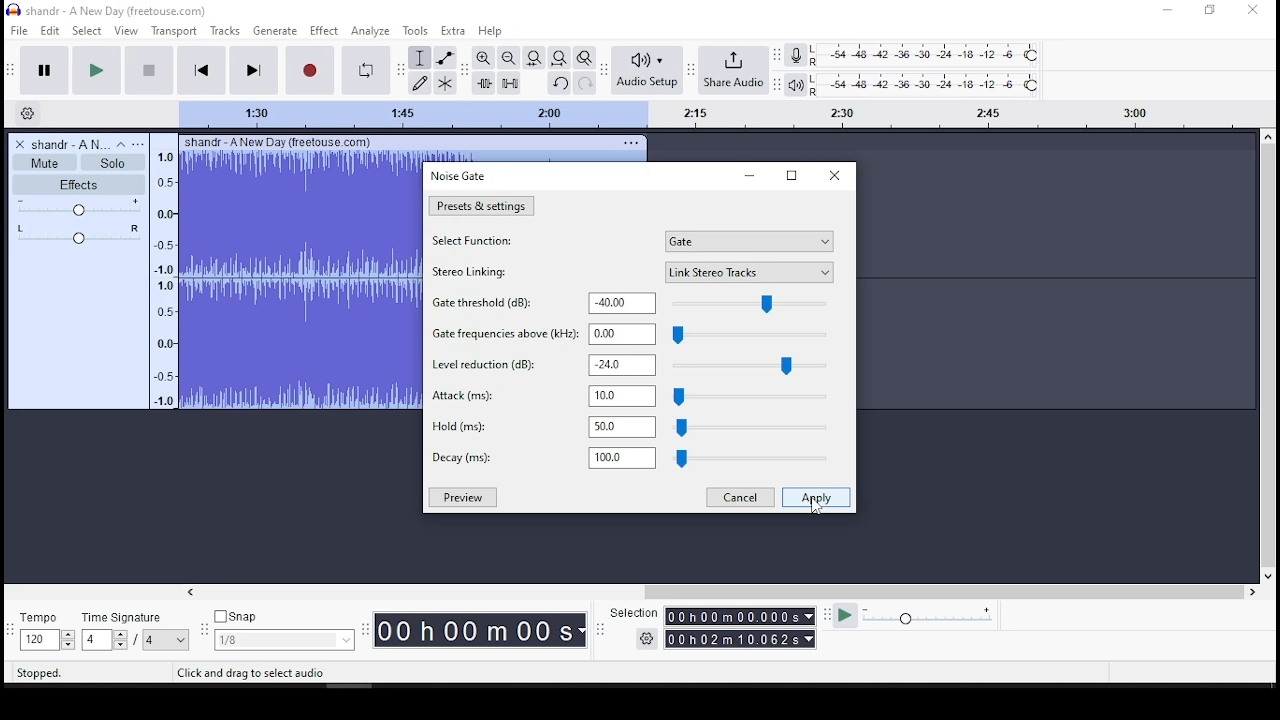 The width and height of the screenshot is (1280, 720). What do you see at coordinates (714, 627) in the screenshot?
I see `selections` at bounding box center [714, 627].